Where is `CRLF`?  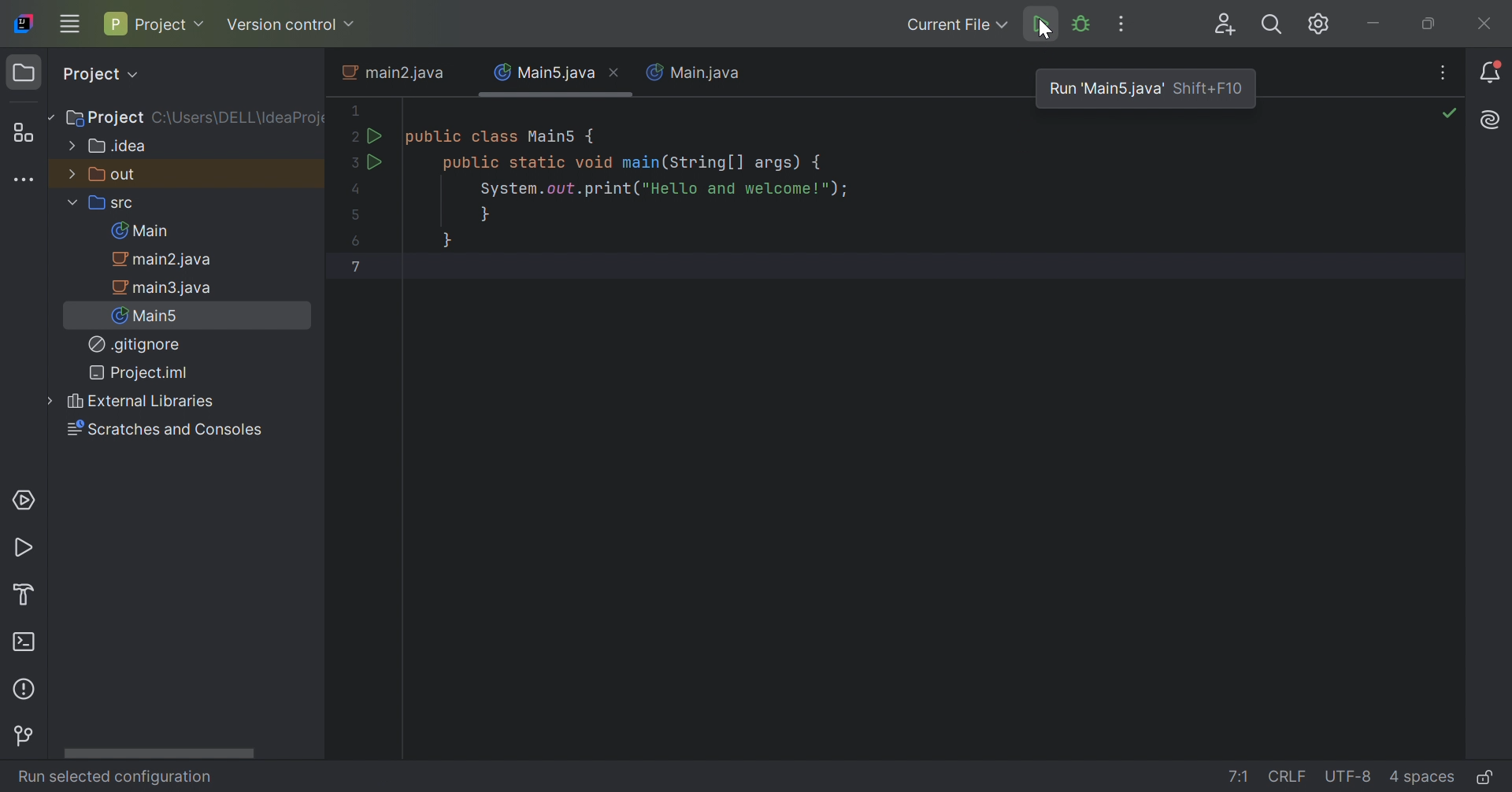 CRLF is located at coordinates (1289, 775).